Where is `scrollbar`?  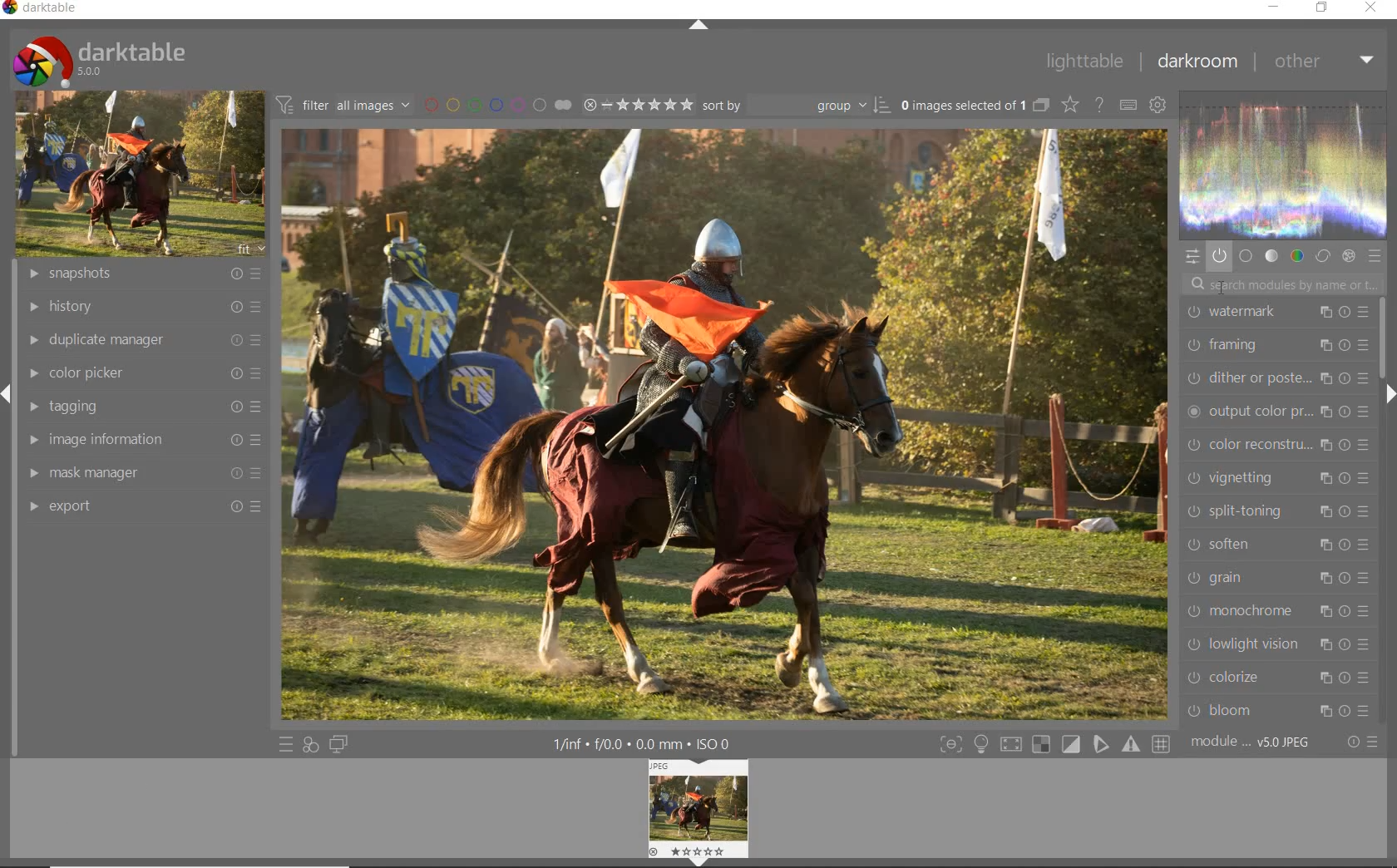
scrollbar is located at coordinates (1381, 338).